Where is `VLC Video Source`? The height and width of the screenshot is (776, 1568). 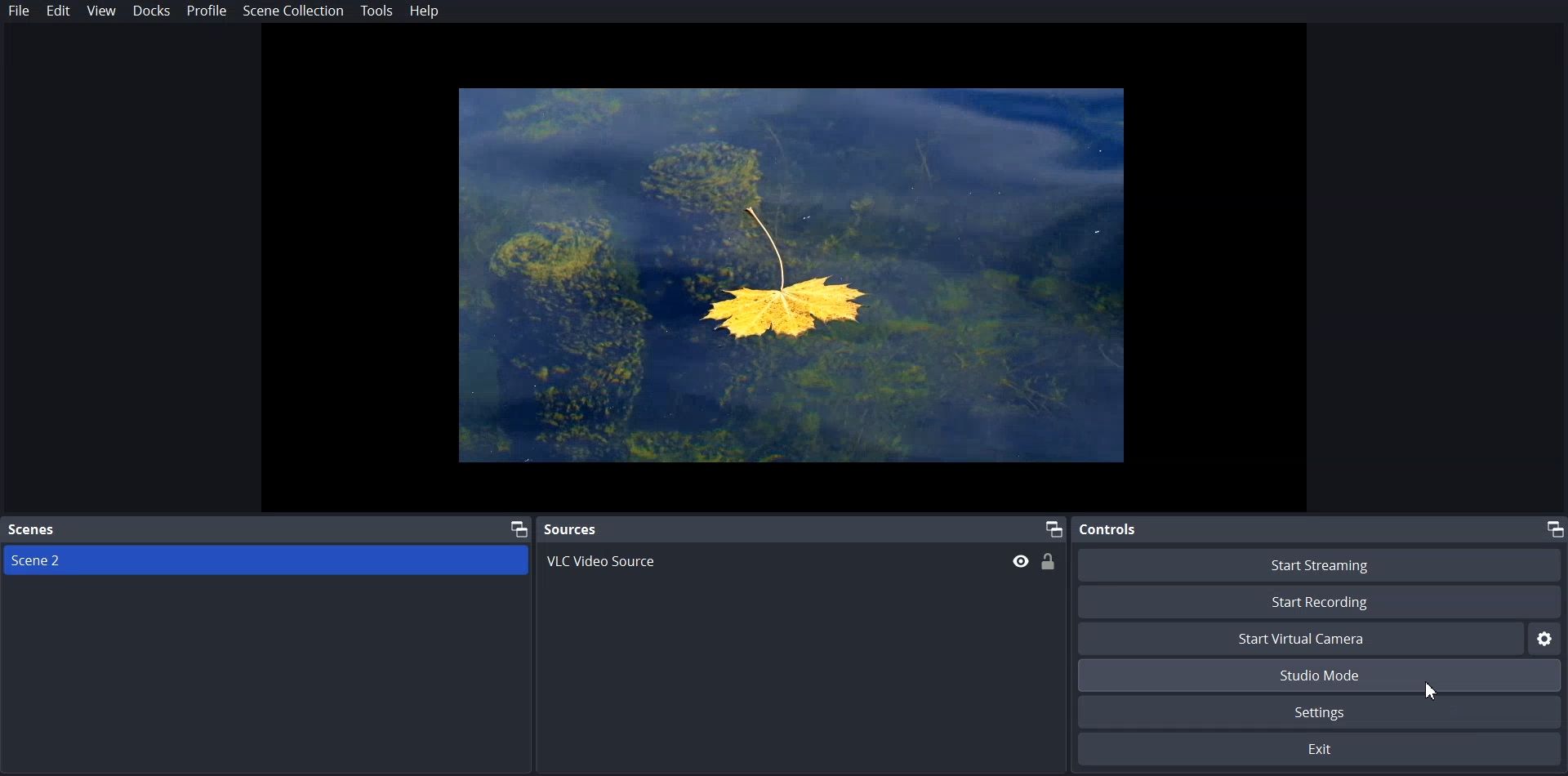
VLC Video Source is located at coordinates (657, 564).